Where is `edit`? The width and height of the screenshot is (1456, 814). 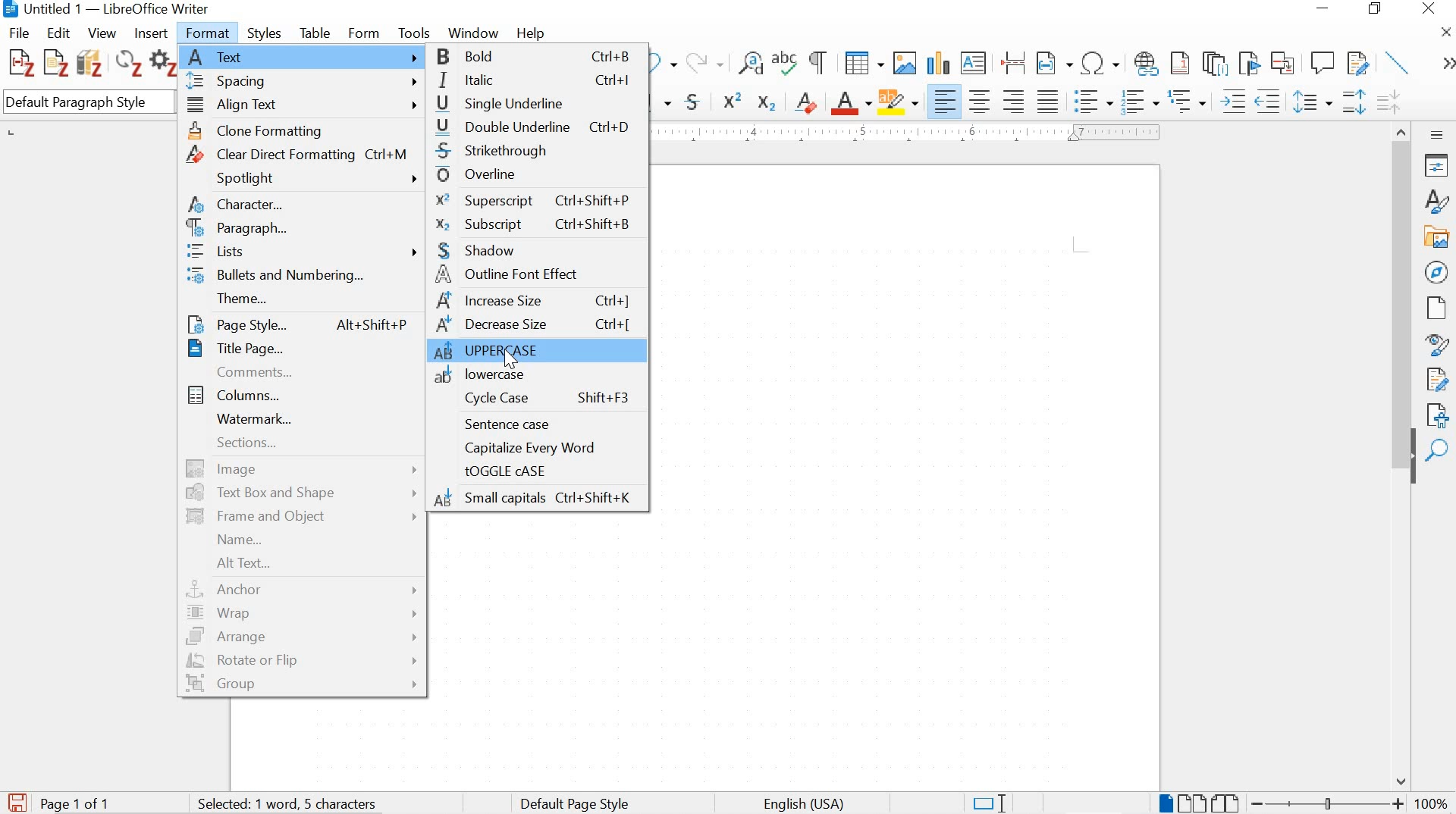 edit is located at coordinates (59, 32).